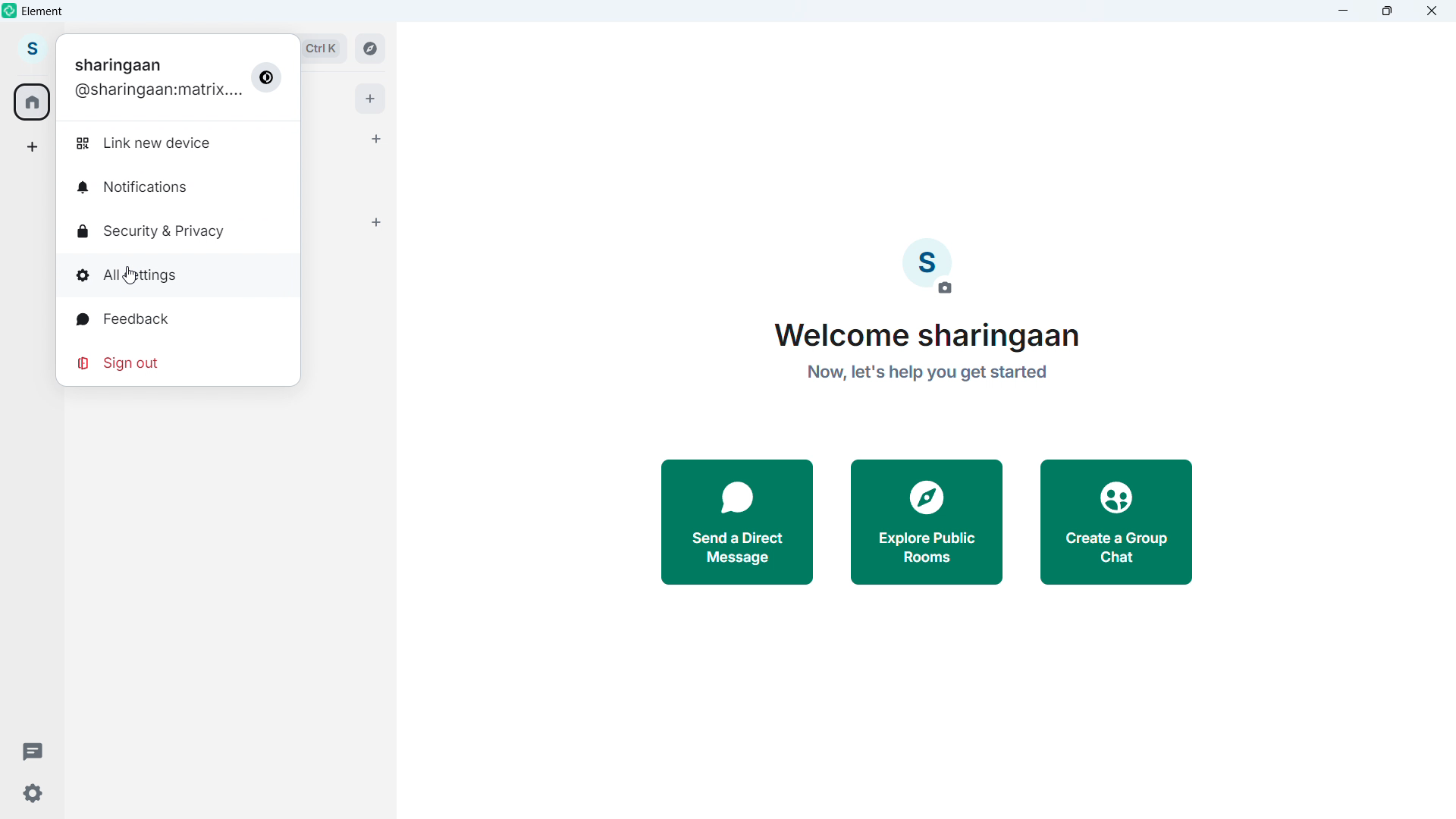  I want to click on @sharingaa:matrix..., so click(158, 93).